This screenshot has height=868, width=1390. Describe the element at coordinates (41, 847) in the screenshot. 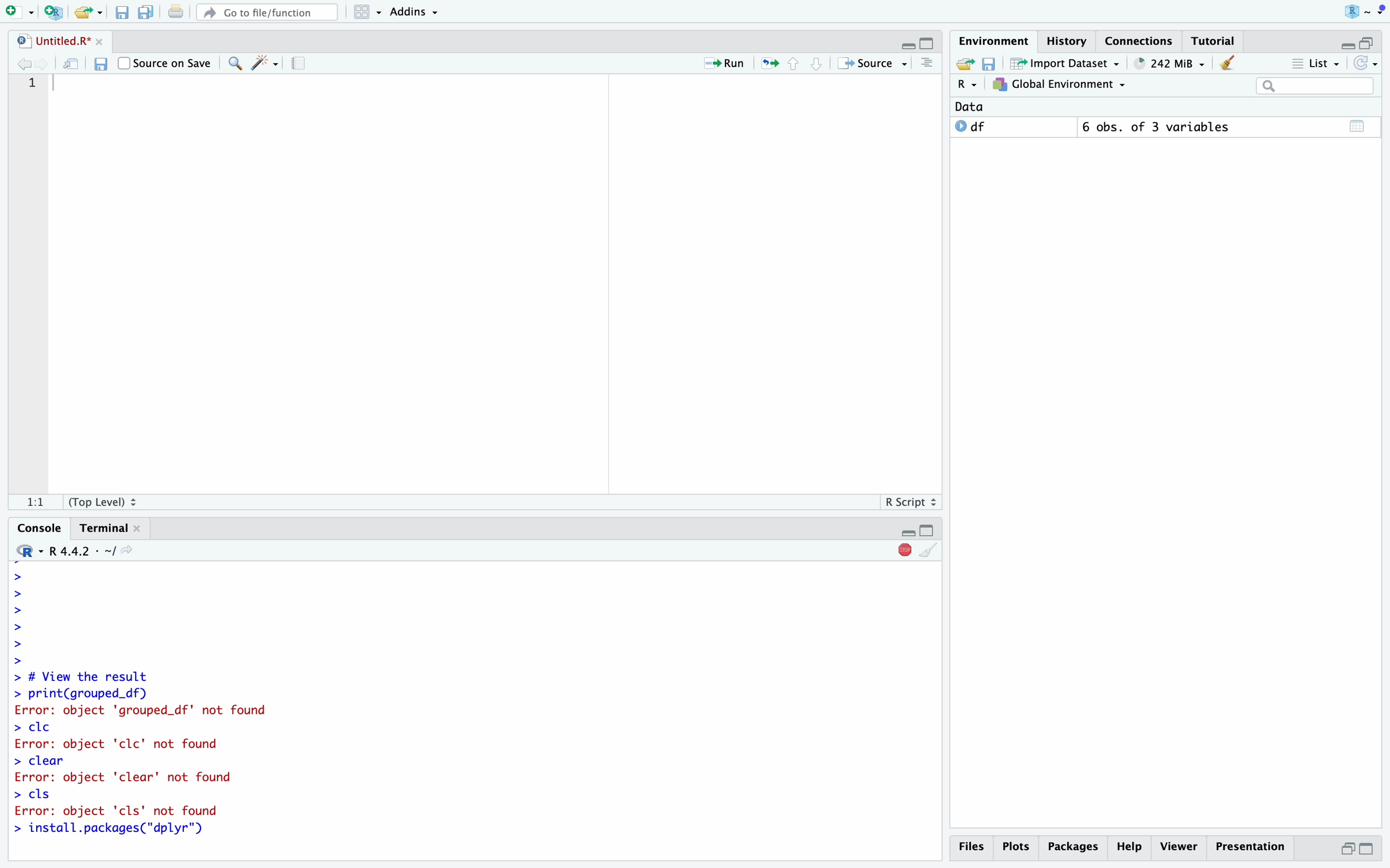

I see `Mouse Cursor` at that location.